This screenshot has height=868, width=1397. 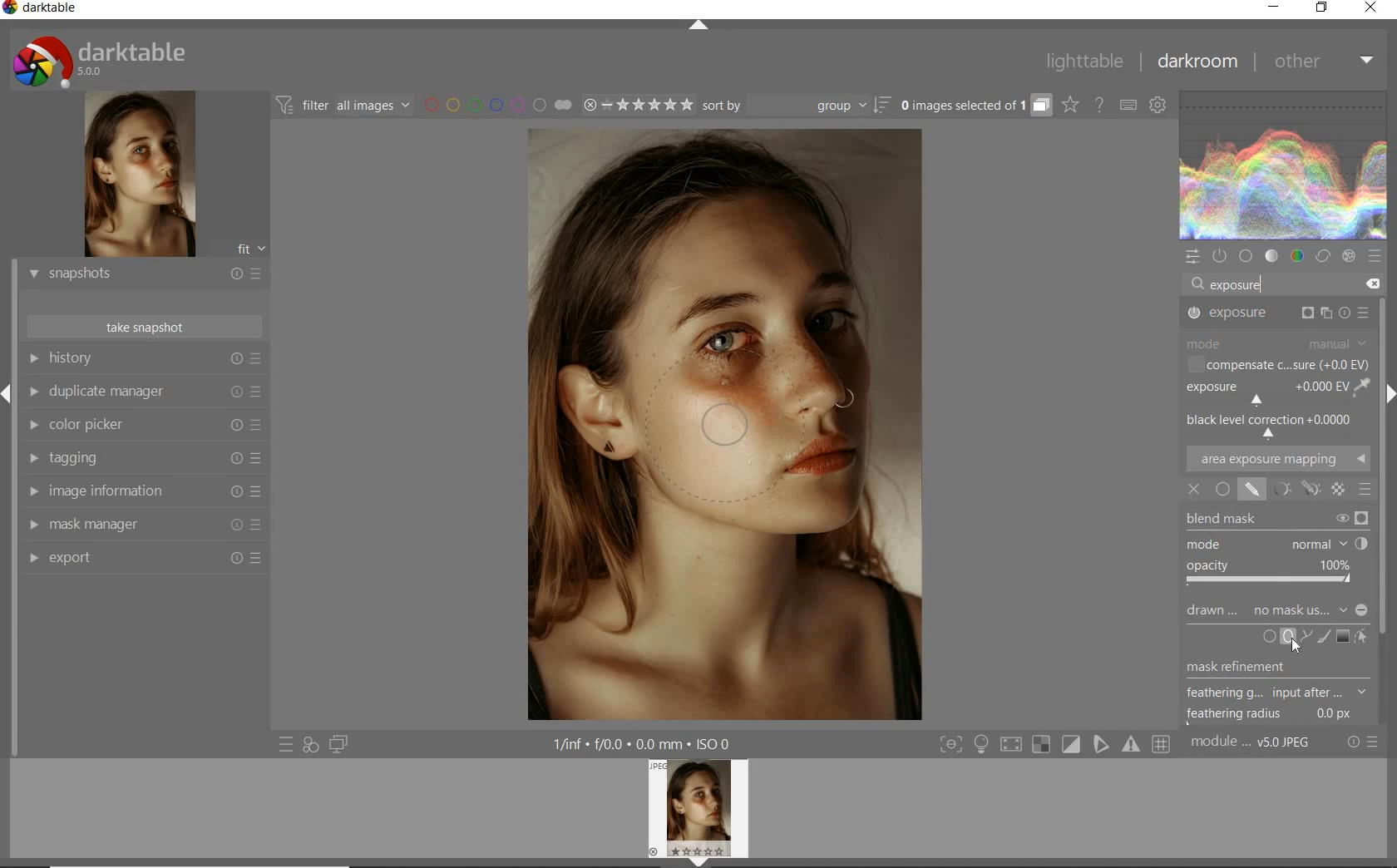 What do you see at coordinates (1069, 106) in the screenshot?
I see `change overlays shown on thumbnails` at bounding box center [1069, 106].